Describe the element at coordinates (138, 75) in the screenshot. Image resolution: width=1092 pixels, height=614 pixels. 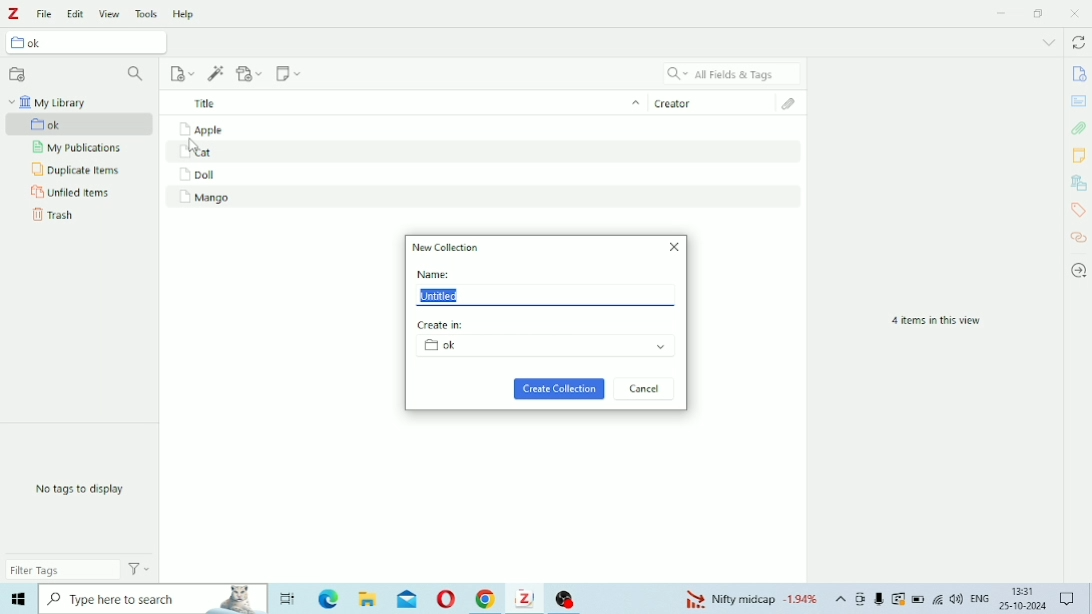
I see `Filter Collections` at that location.